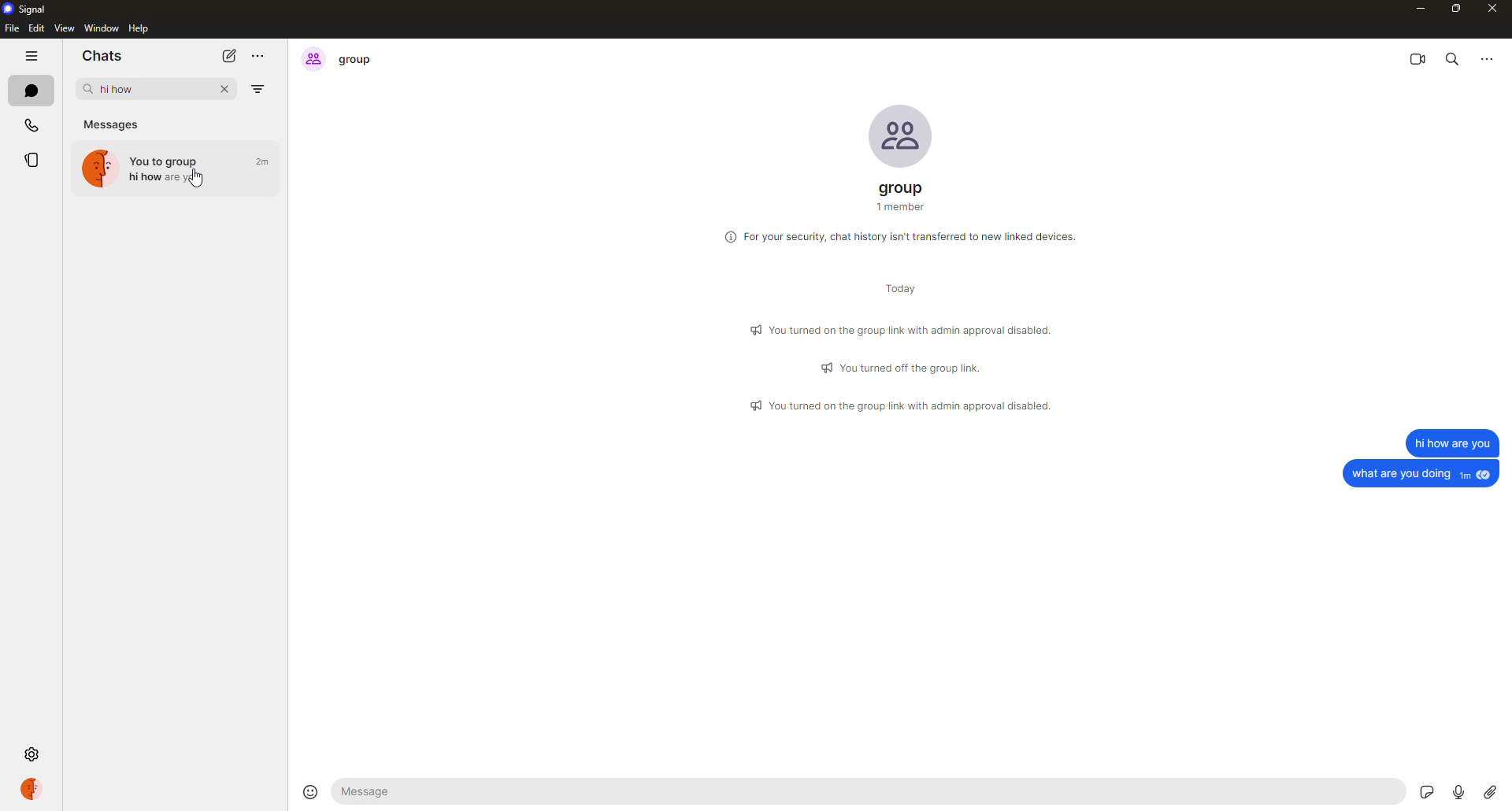 The height and width of the screenshot is (811, 1512). Describe the element at coordinates (36, 28) in the screenshot. I see `edit` at that location.